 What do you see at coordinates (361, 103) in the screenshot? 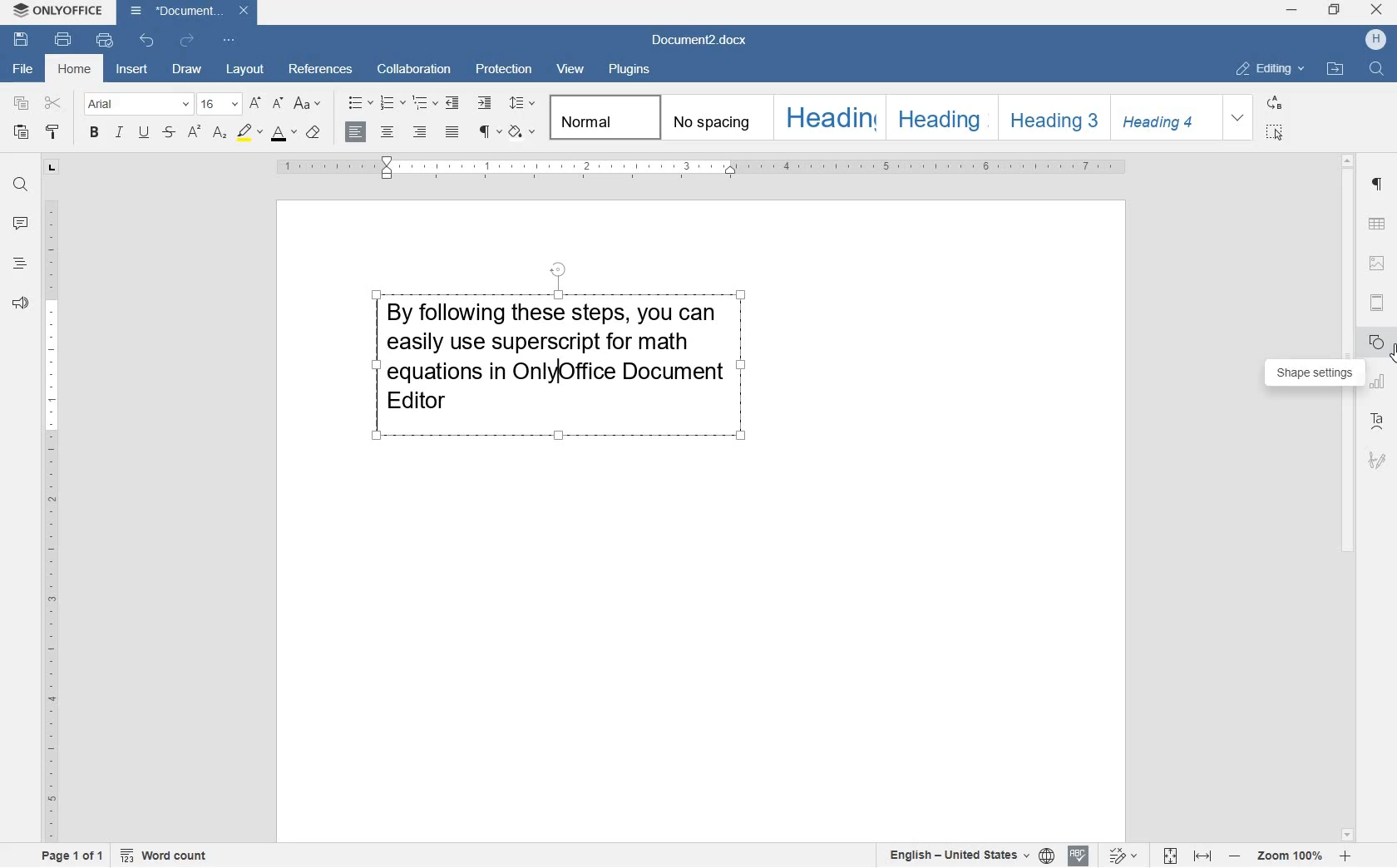
I see `bullets` at bounding box center [361, 103].